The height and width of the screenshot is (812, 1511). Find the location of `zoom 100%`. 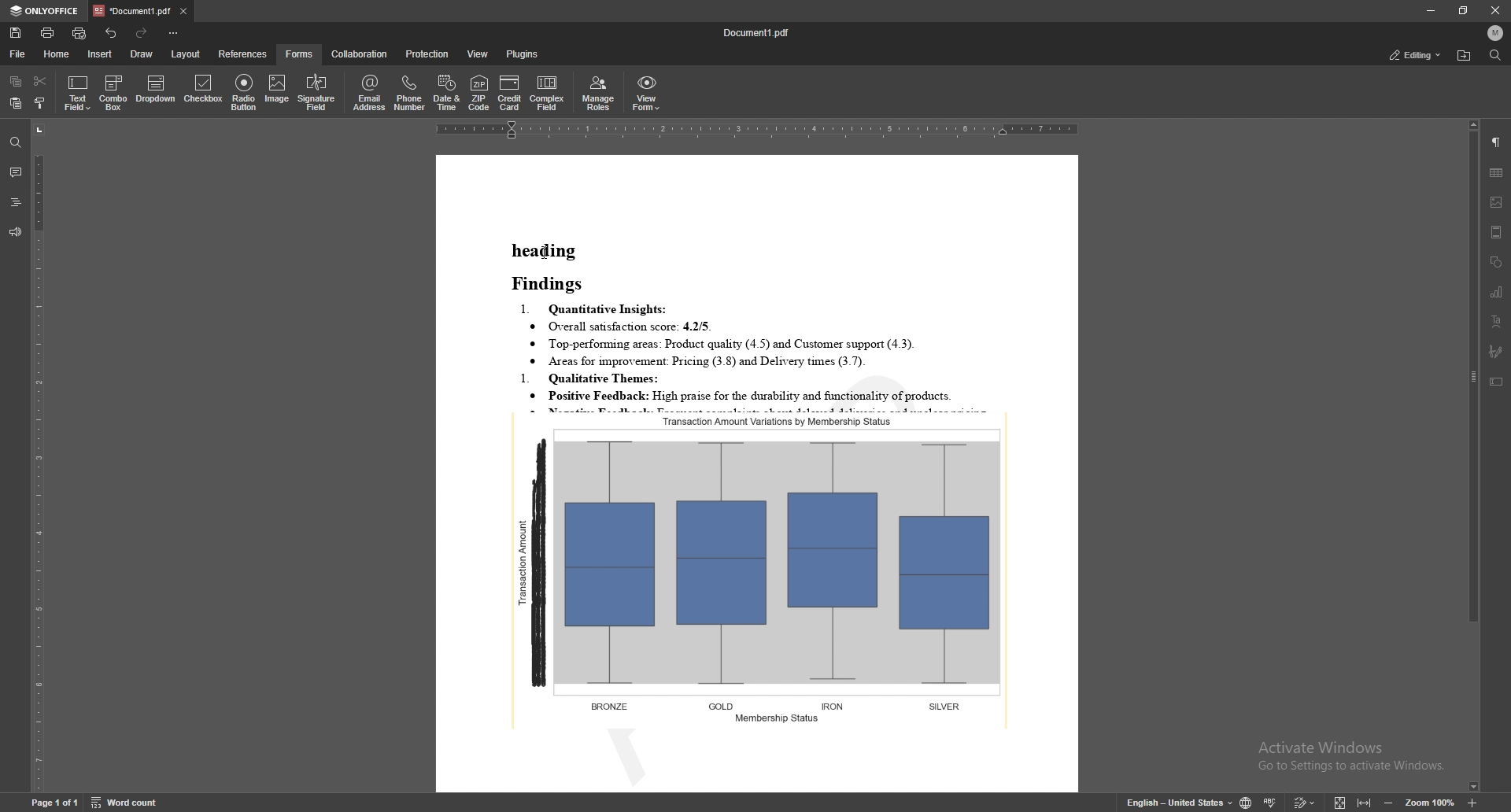

zoom 100% is located at coordinates (1435, 804).